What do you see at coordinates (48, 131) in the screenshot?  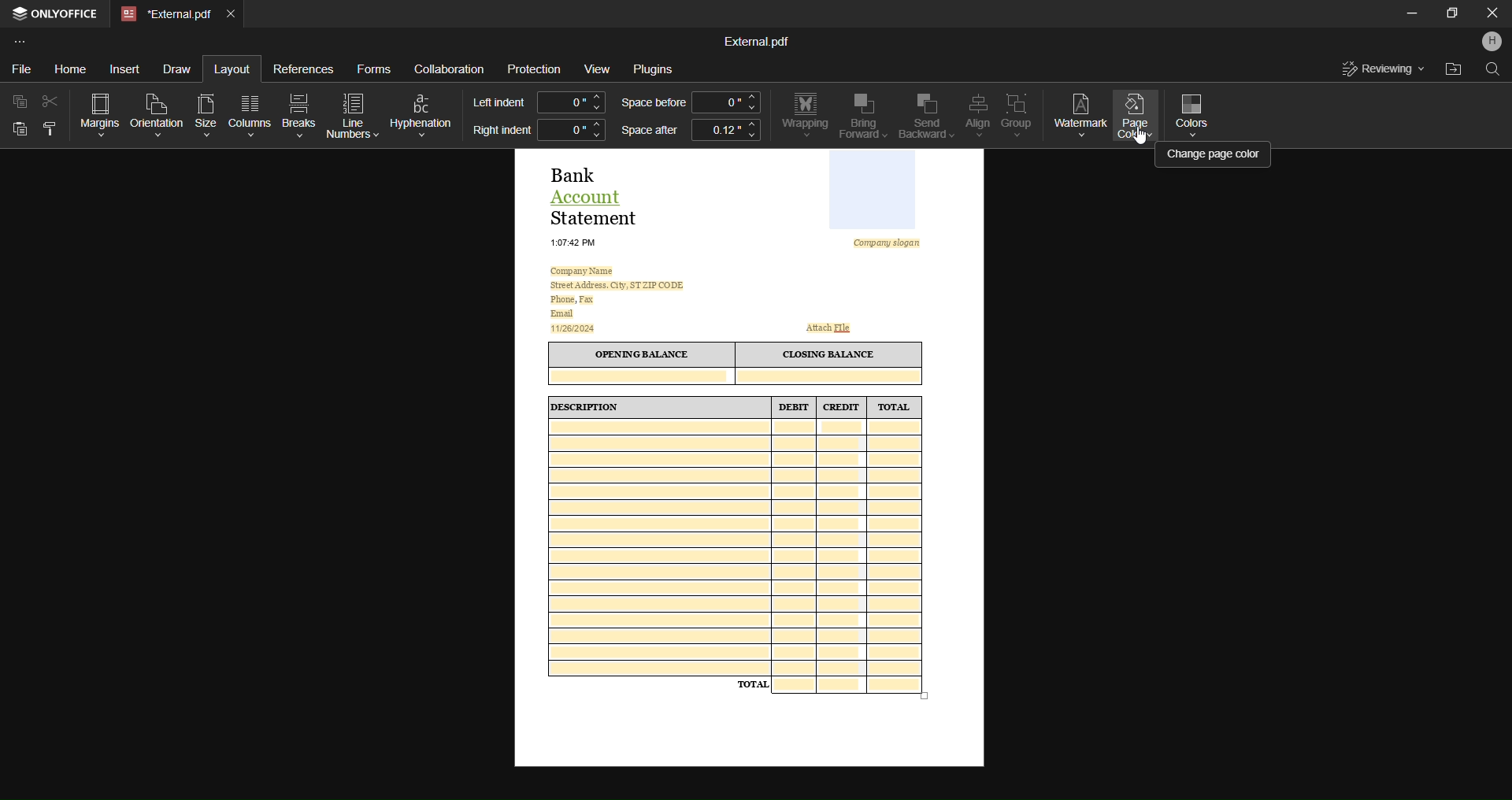 I see `Copy Styles` at bounding box center [48, 131].